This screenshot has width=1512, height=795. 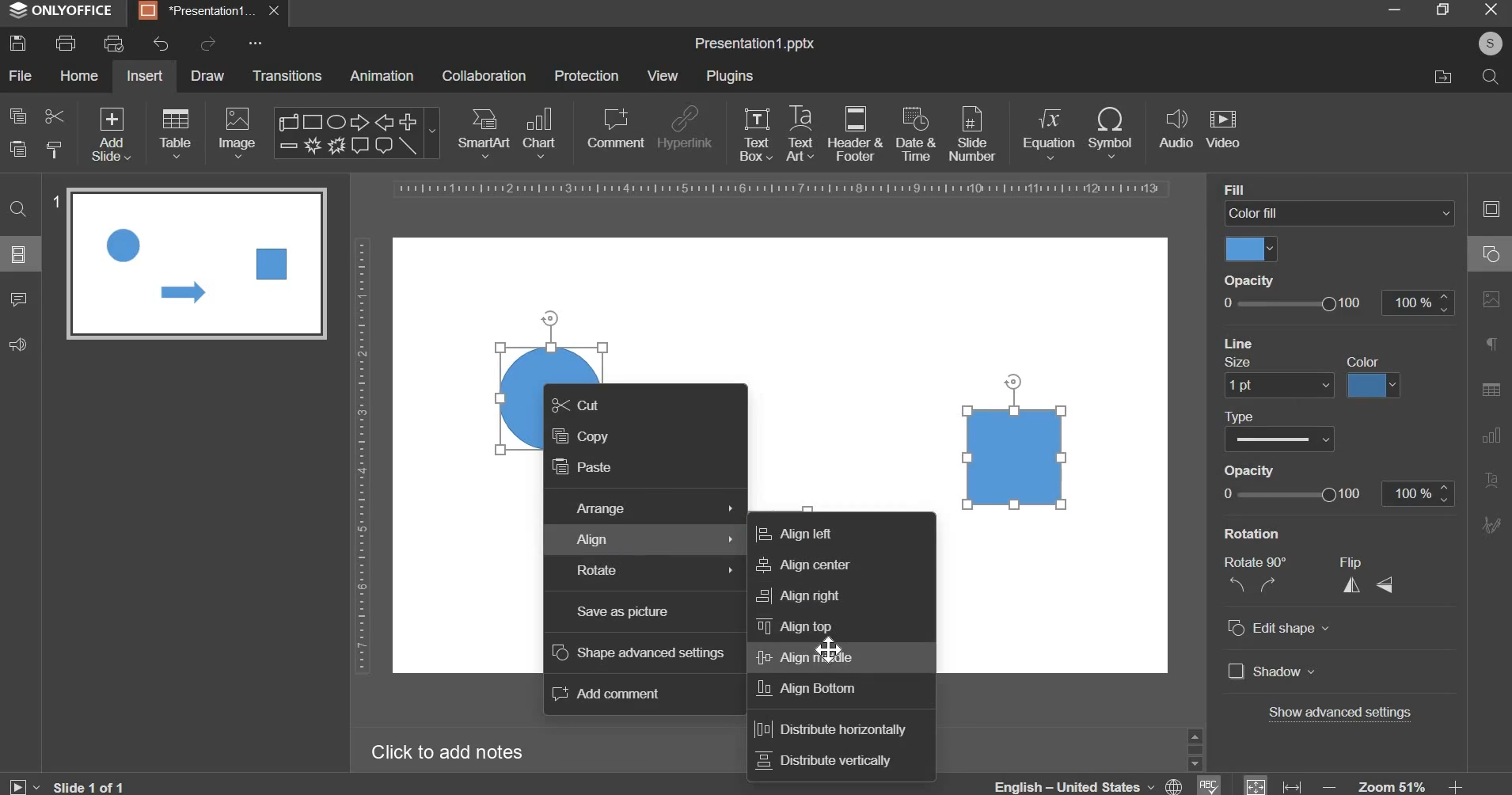 I want to click on slide preview, so click(x=196, y=263).